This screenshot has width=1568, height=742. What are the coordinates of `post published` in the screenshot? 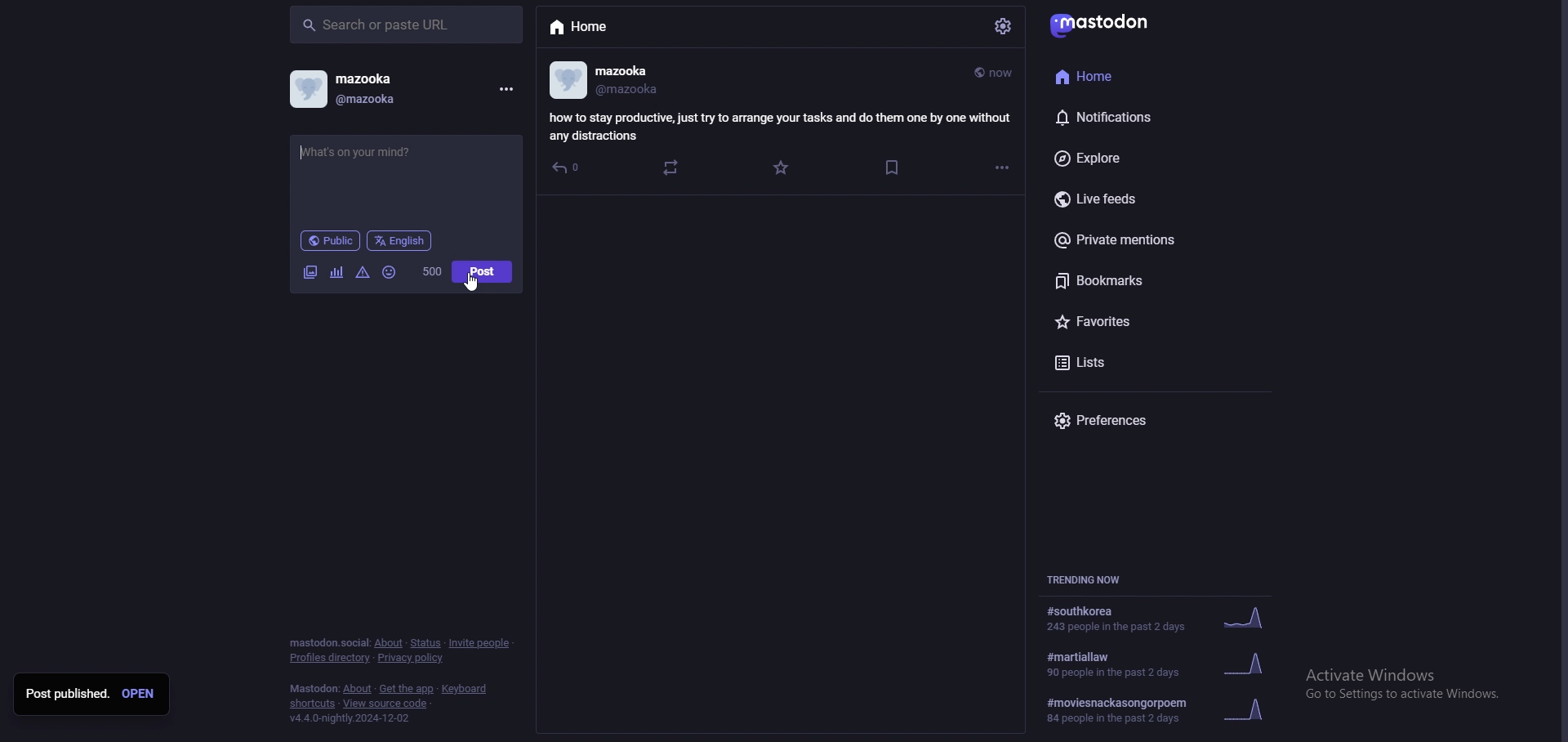 It's located at (67, 694).